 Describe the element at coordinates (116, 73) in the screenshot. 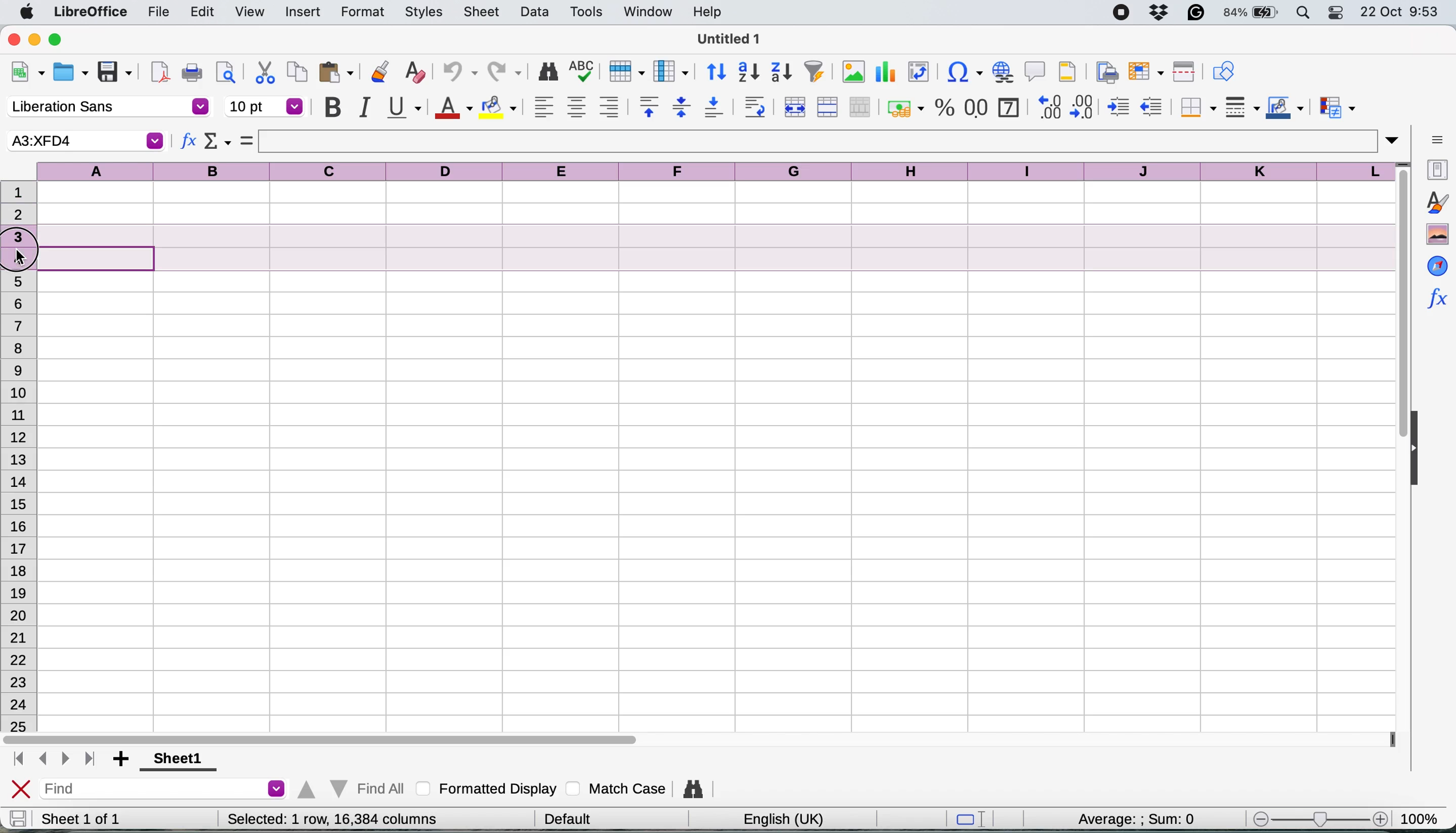

I see `save` at that location.